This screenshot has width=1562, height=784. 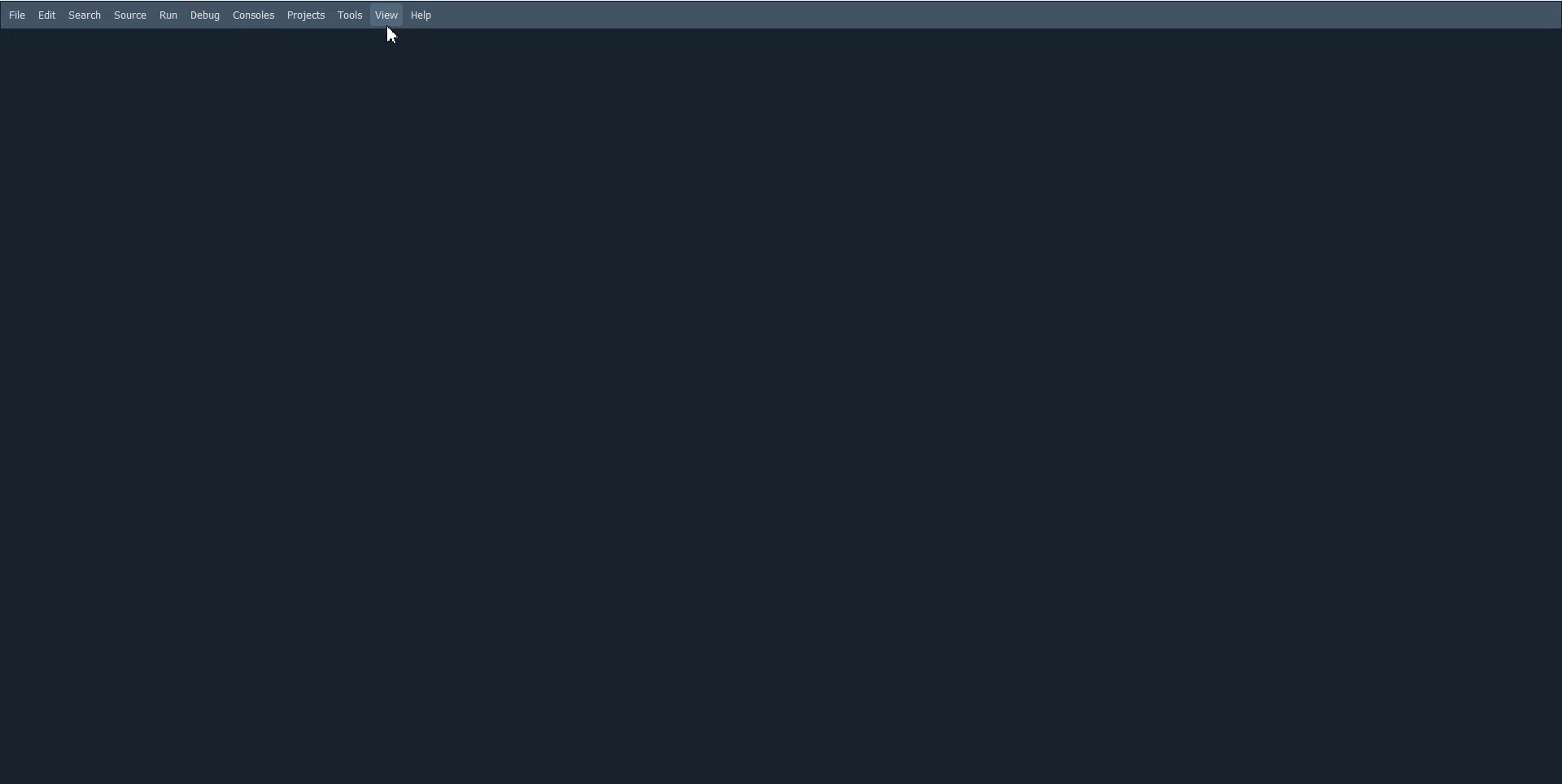 What do you see at coordinates (85, 15) in the screenshot?
I see `Search` at bounding box center [85, 15].